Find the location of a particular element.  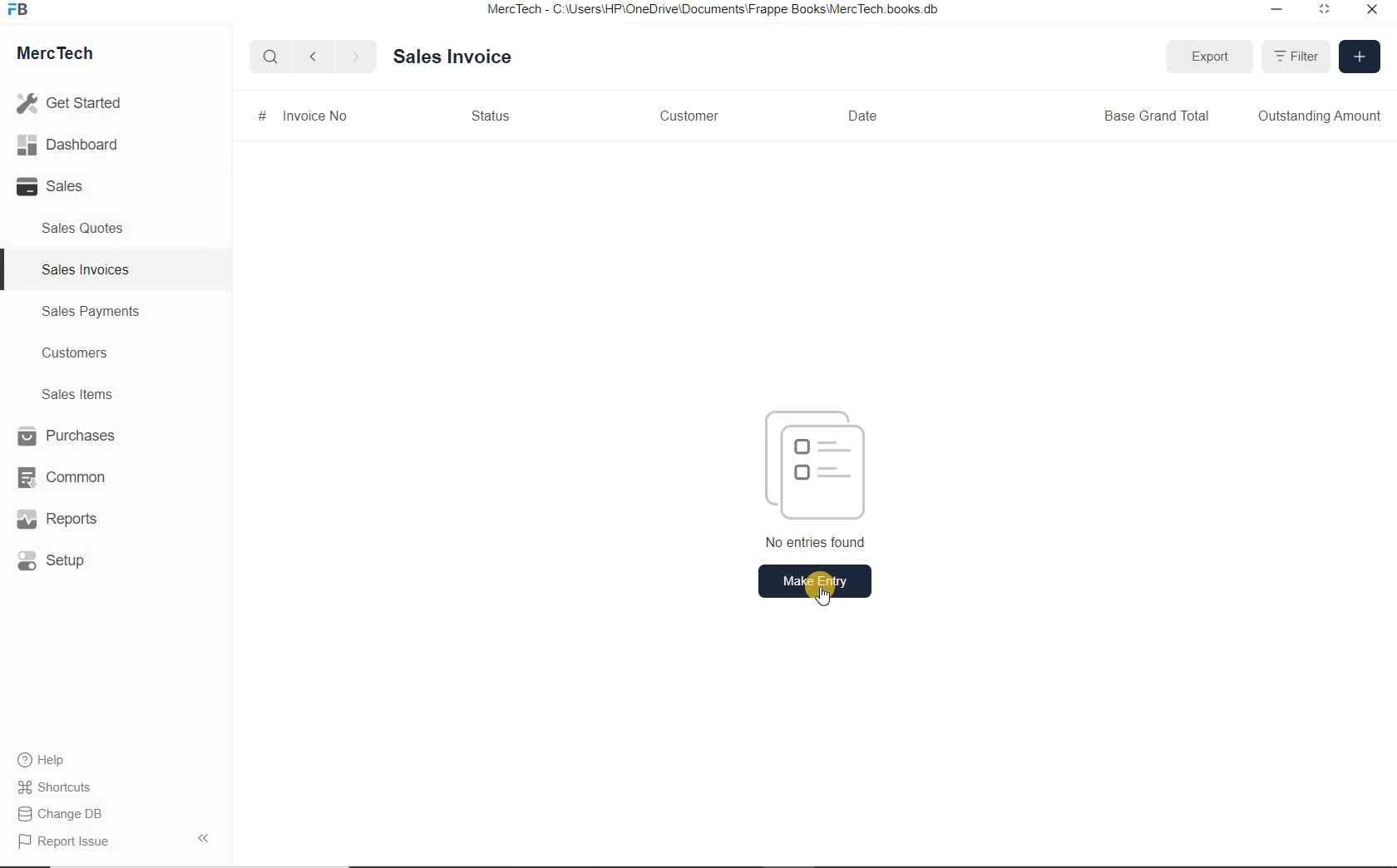

Hide Sidebar is located at coordinates (202, 837).